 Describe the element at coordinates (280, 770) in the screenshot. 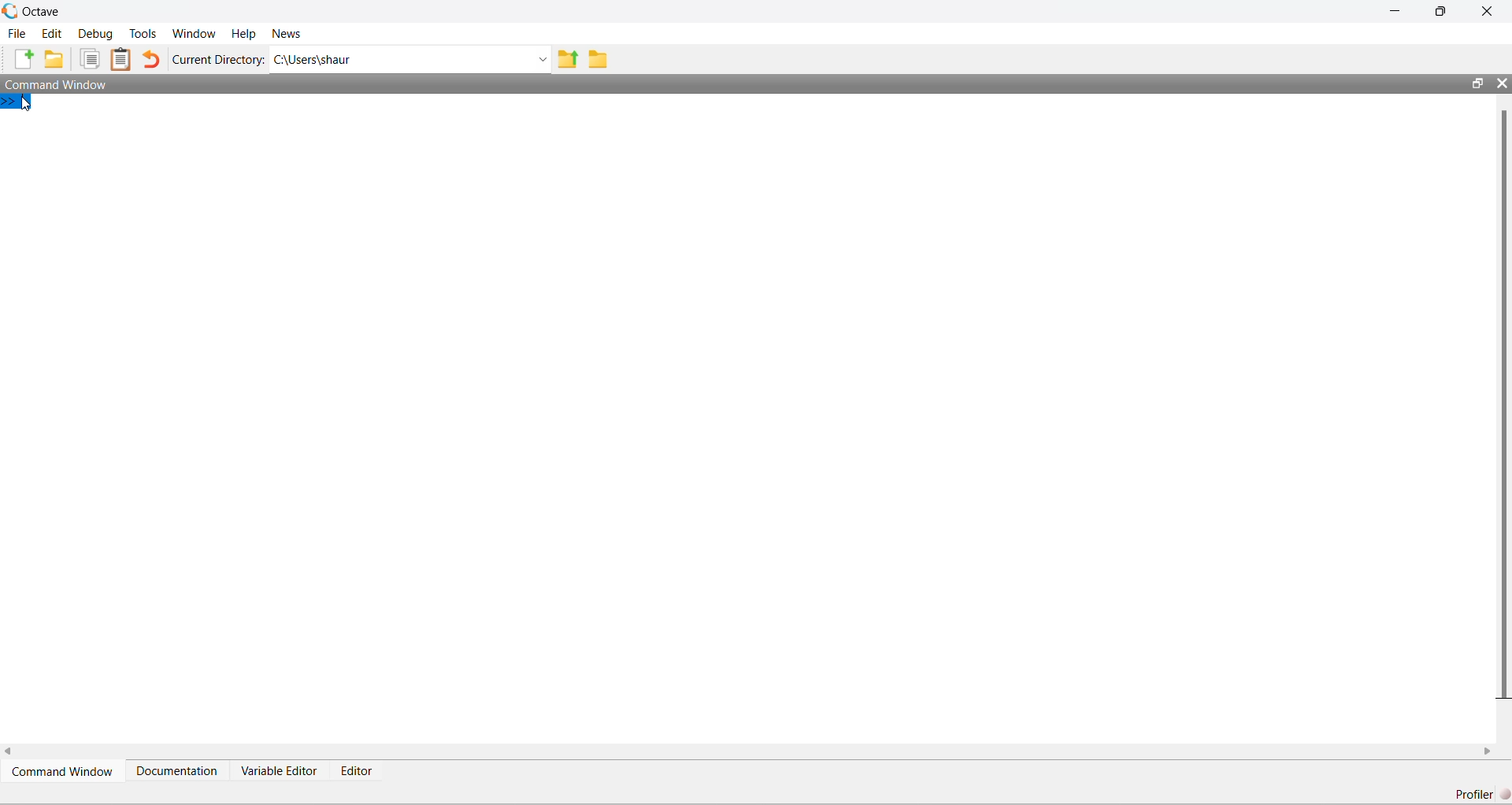

I see `Variable Editor` at that location.